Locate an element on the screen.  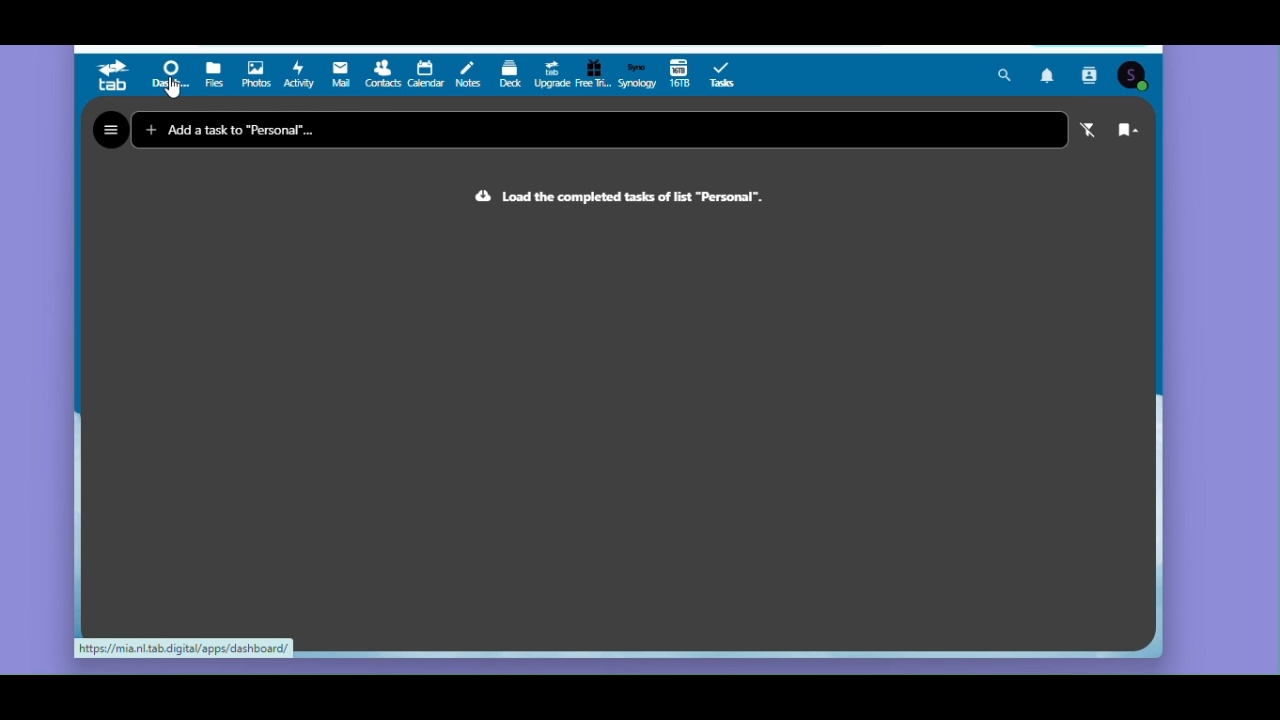
Load the completed tasks of list "personal". is located at coordinates (603, 196).